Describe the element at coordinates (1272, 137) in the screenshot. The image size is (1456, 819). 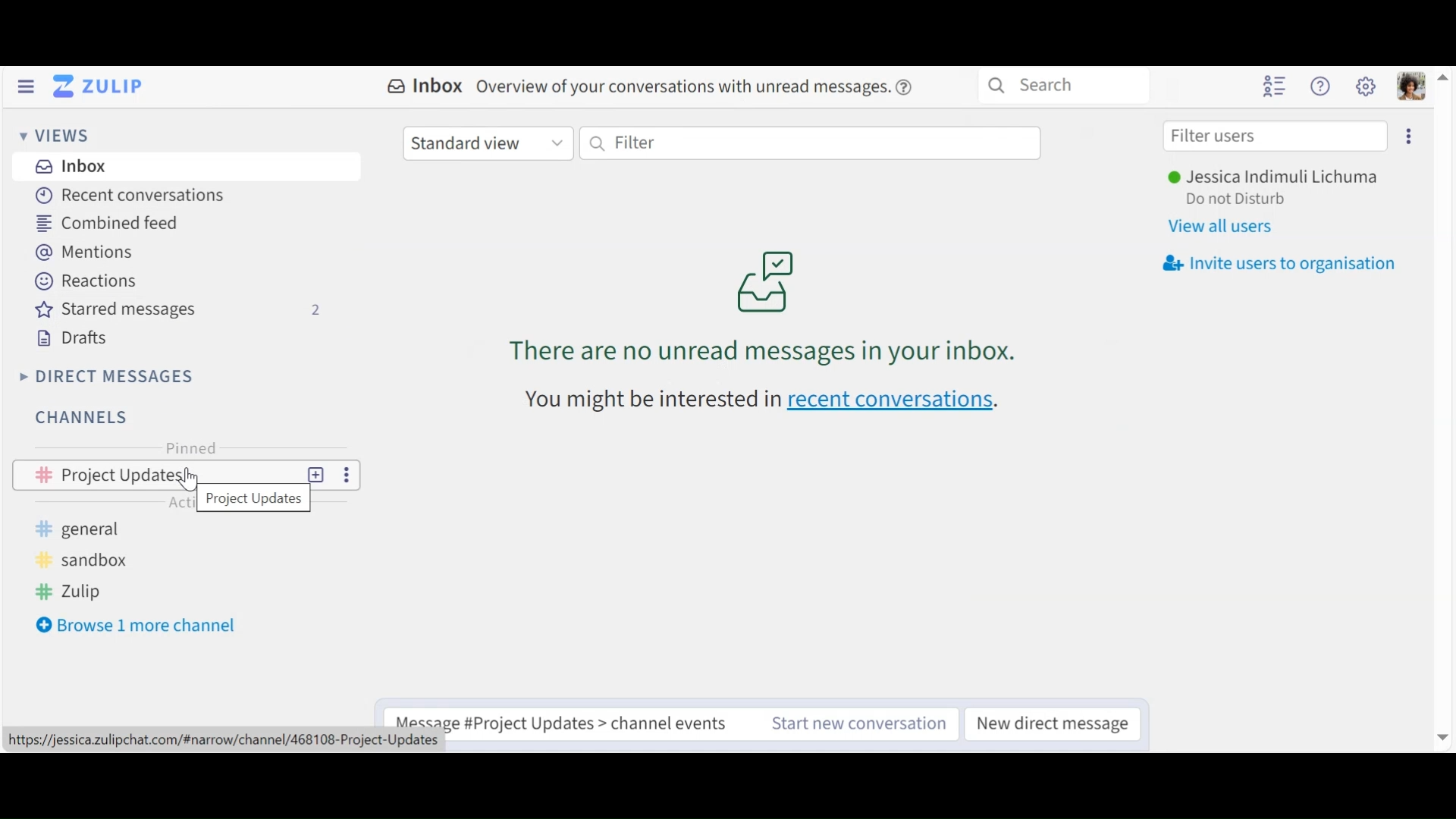
I see `Filter users` at that location.